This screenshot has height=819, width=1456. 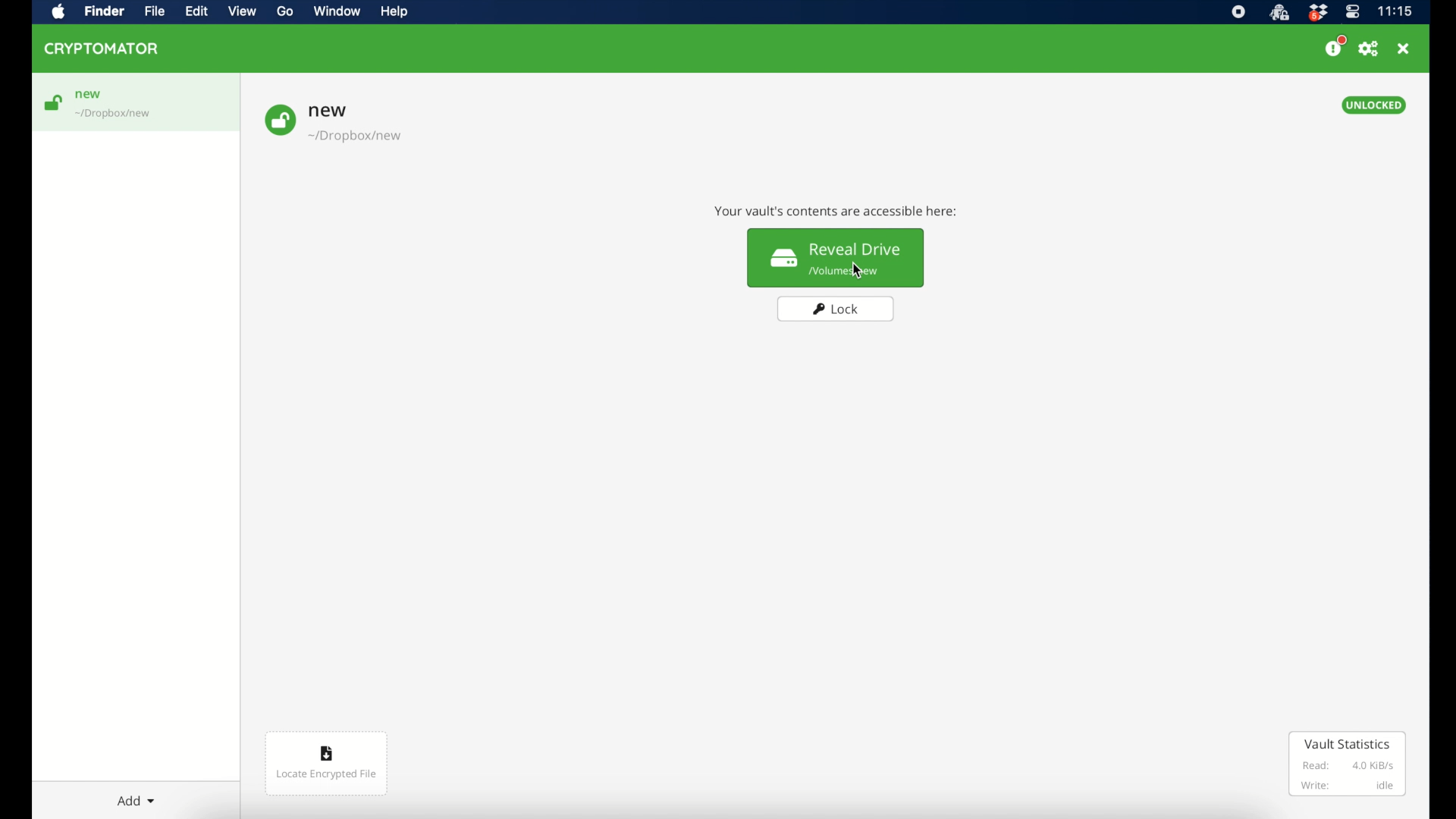 What do you see at coordinates (280, 121) in the screenshot?
I see `unlock` at bounding box center [280, 121].